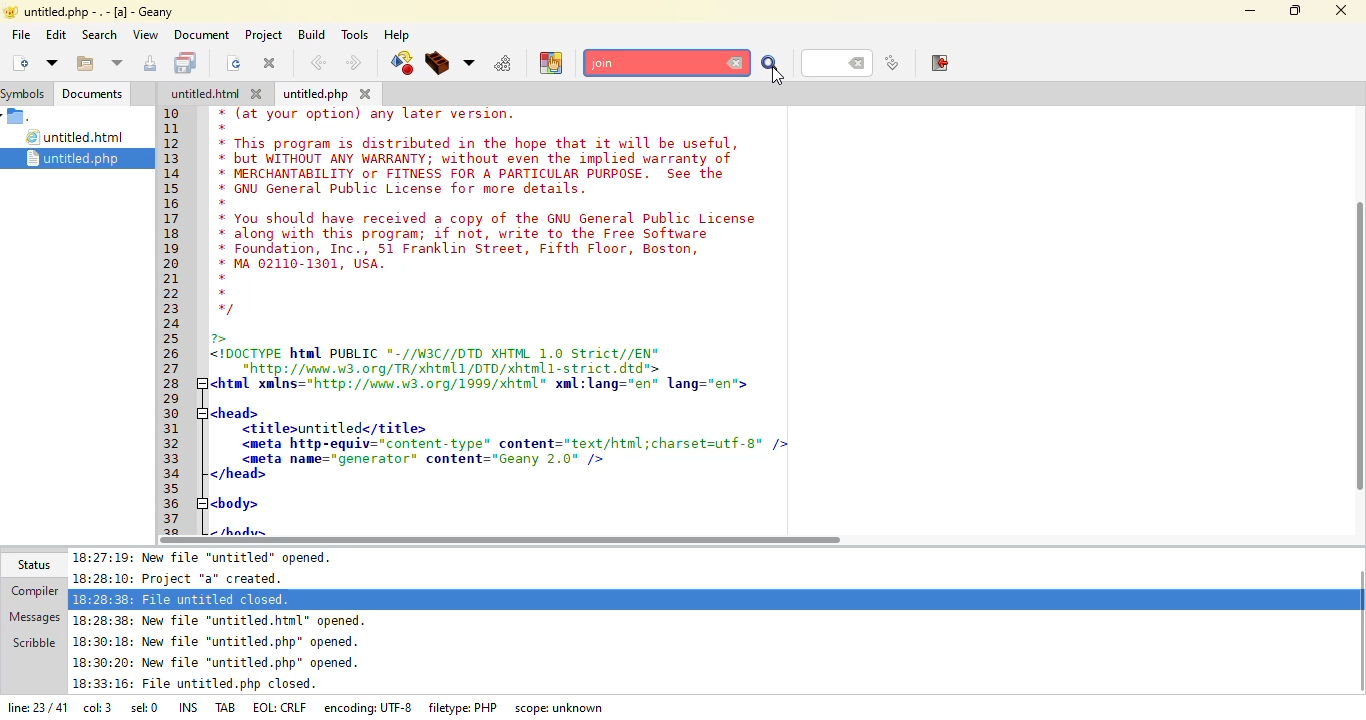 The width and height of the screenshot is (1366, 720). What do you see at coordinates (188, 578) in the screenshot?
I see `18:28:10: project "a" created.` at bounding box center [188, 578].